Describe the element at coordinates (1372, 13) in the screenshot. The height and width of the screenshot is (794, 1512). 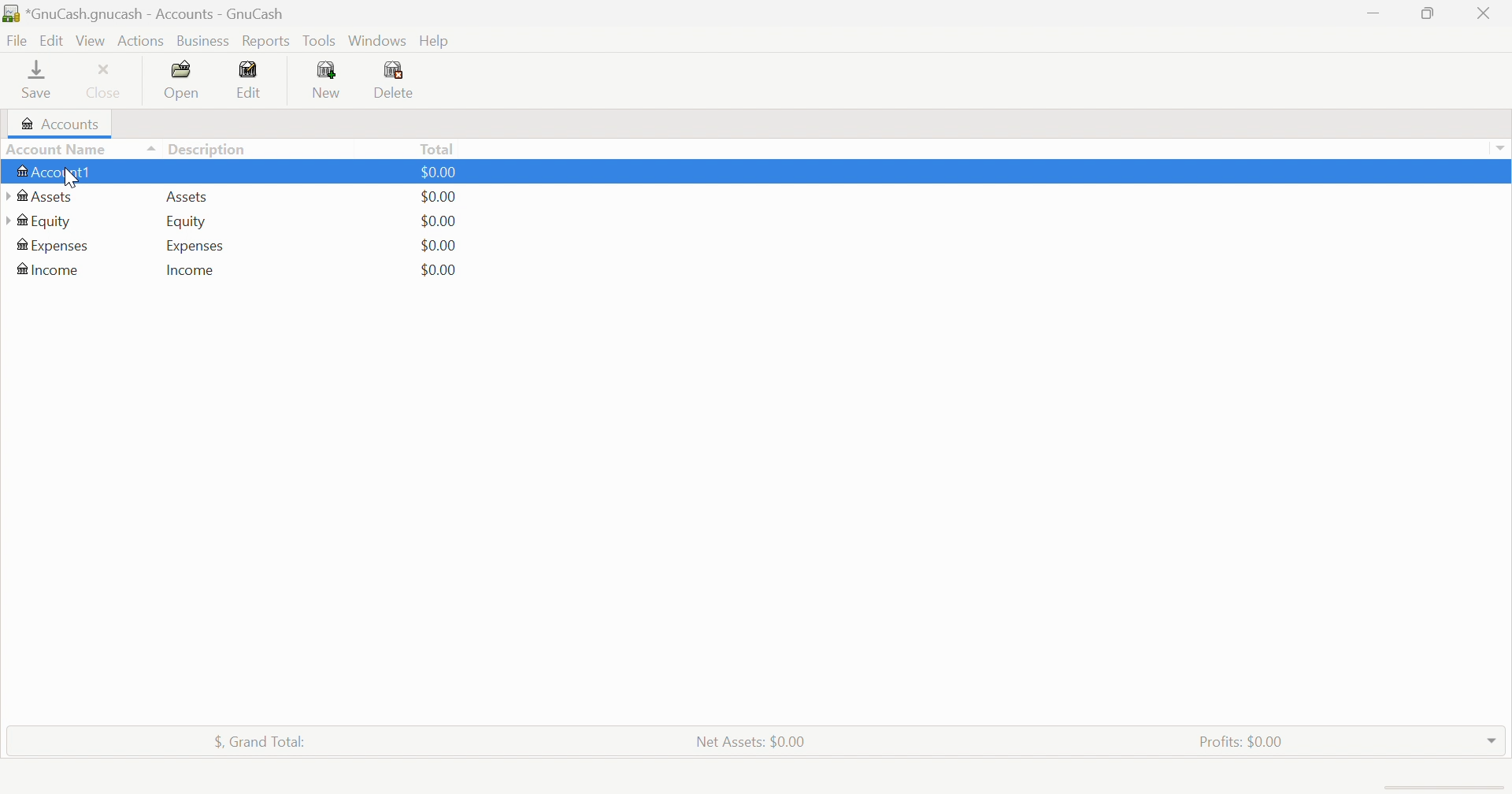
I see `Minimize` at that location.